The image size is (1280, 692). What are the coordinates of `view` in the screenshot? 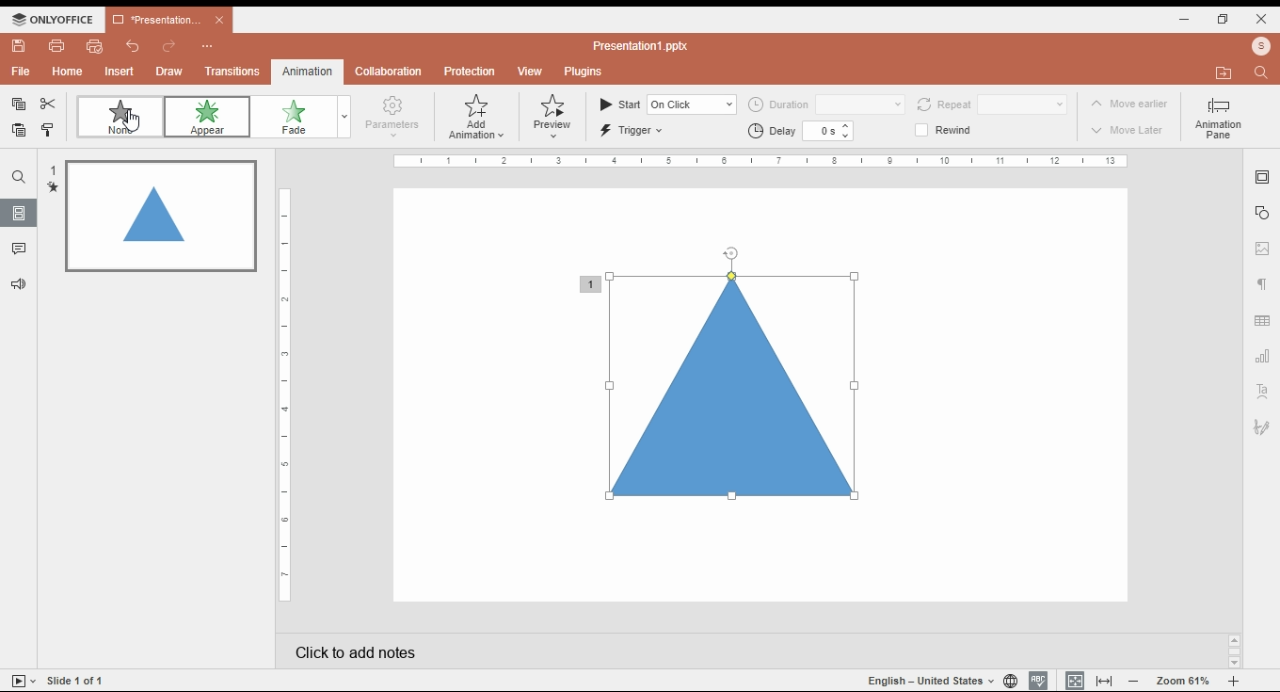 It's located at (530, 70).